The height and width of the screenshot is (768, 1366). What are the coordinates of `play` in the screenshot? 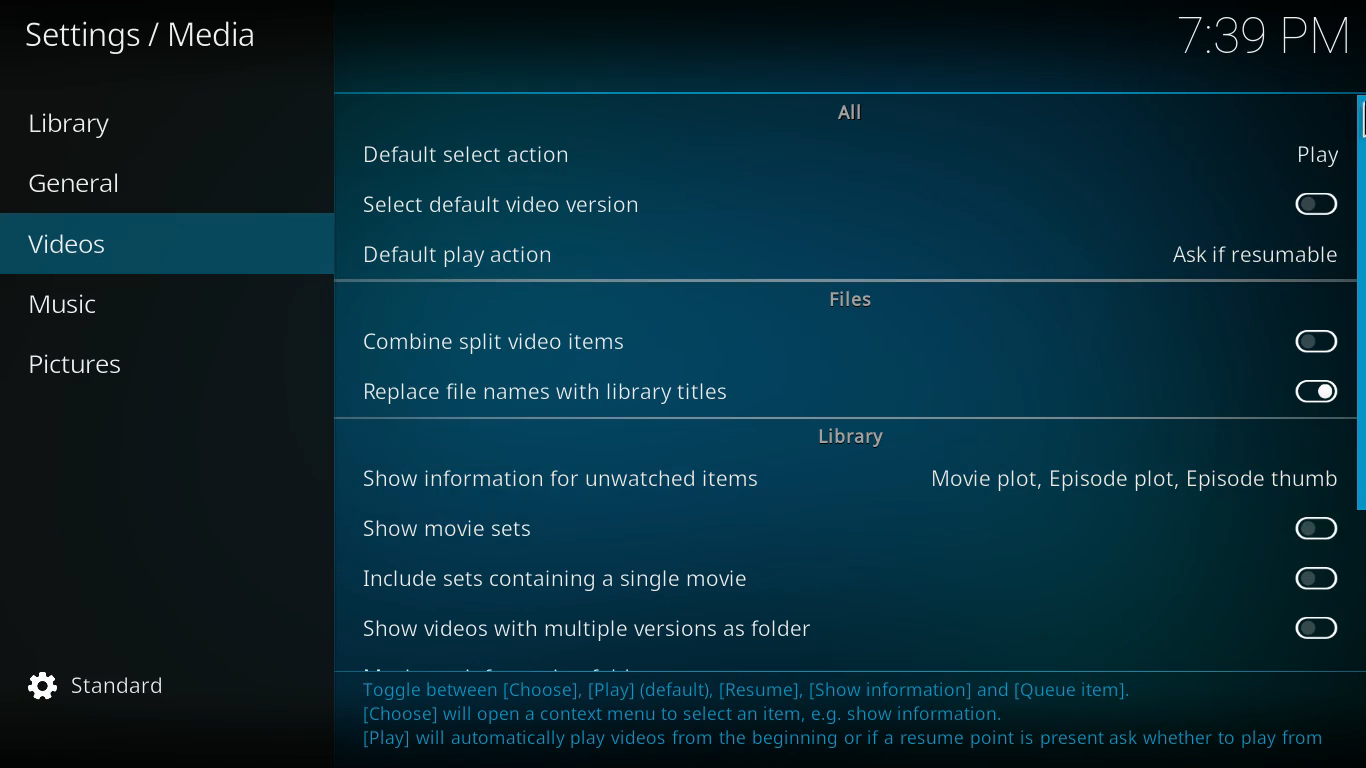 It's located at (1318, 153).